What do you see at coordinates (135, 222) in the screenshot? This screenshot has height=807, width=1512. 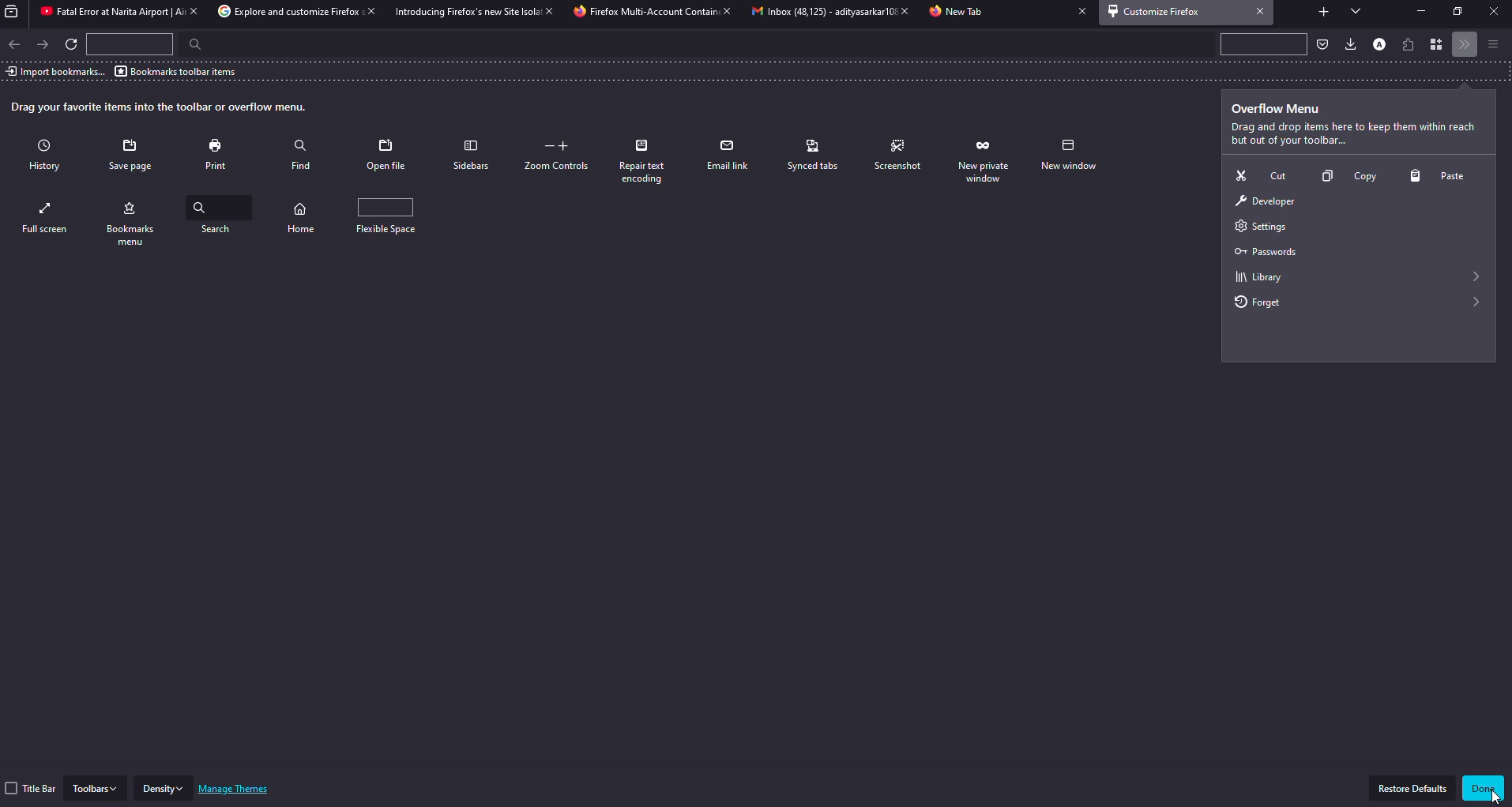 I see `full screen` at bounding box center [135, 222].